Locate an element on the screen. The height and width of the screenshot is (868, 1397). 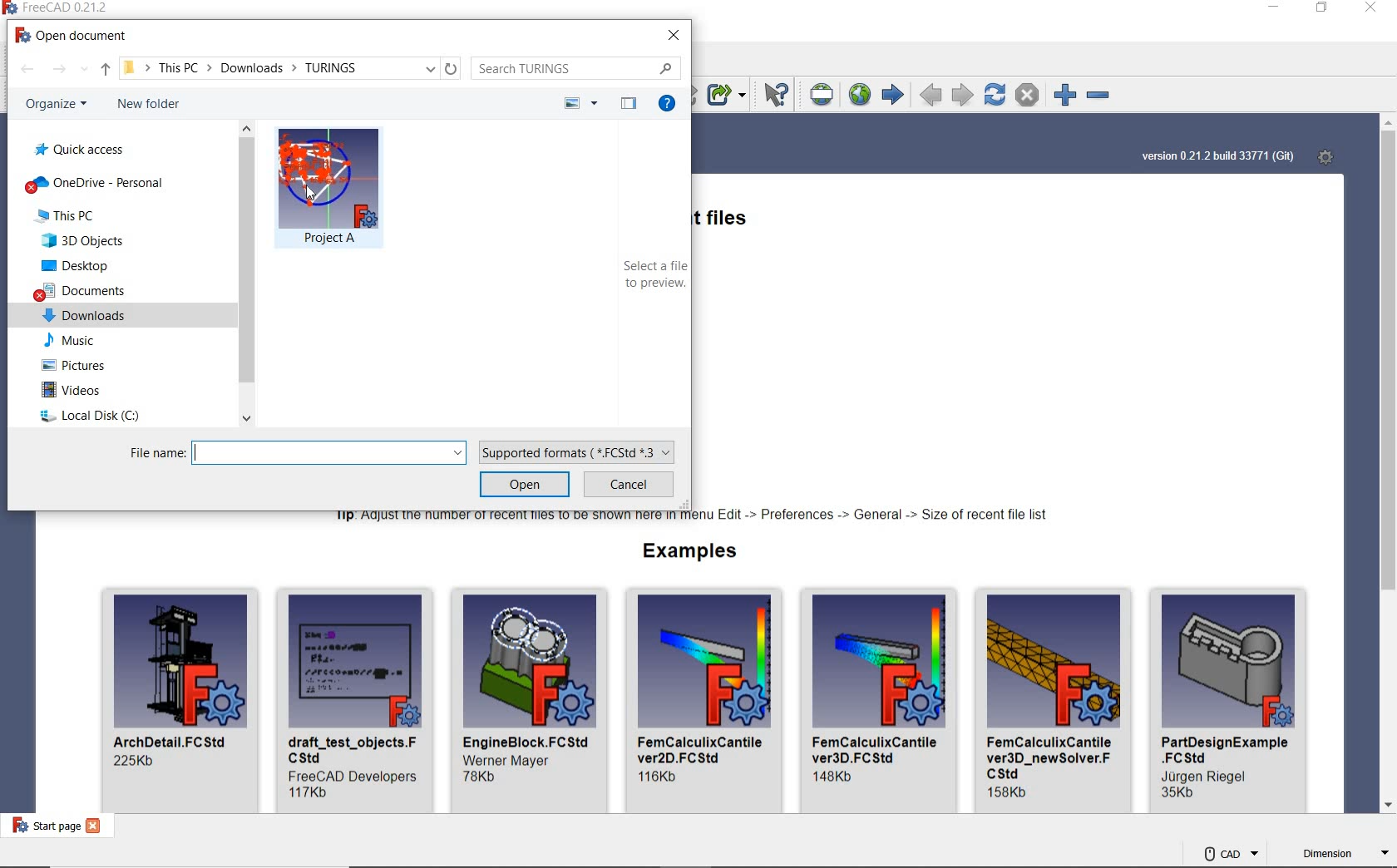
SCROLLBAR is located at coordinates (247, 274).